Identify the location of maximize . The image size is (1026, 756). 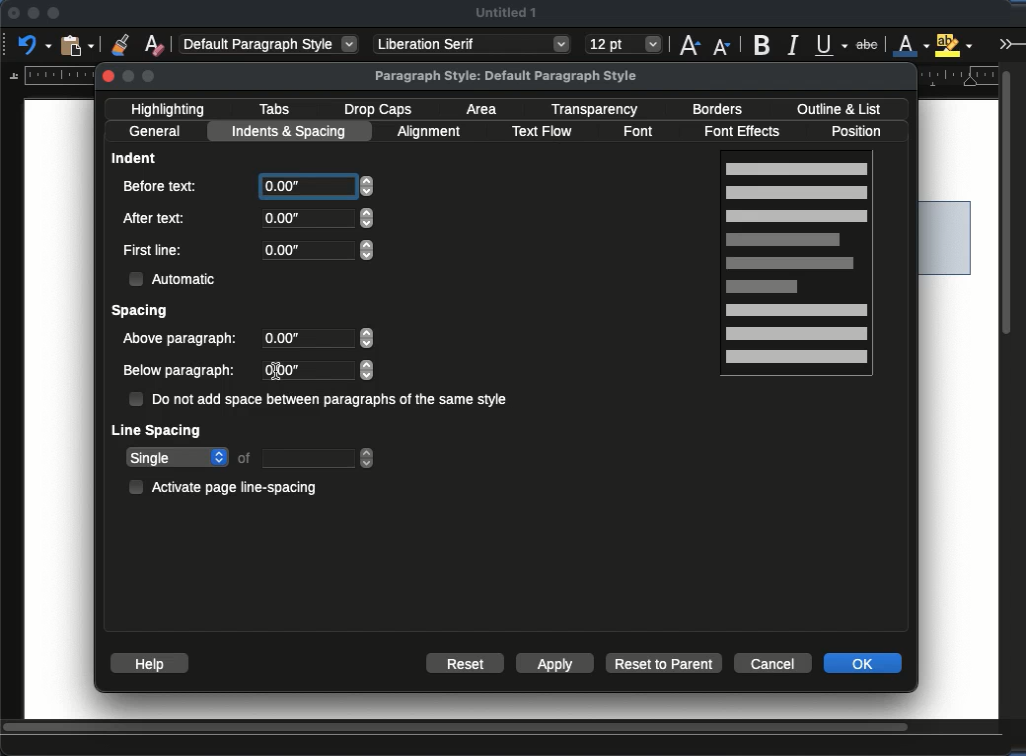
(53, 14).